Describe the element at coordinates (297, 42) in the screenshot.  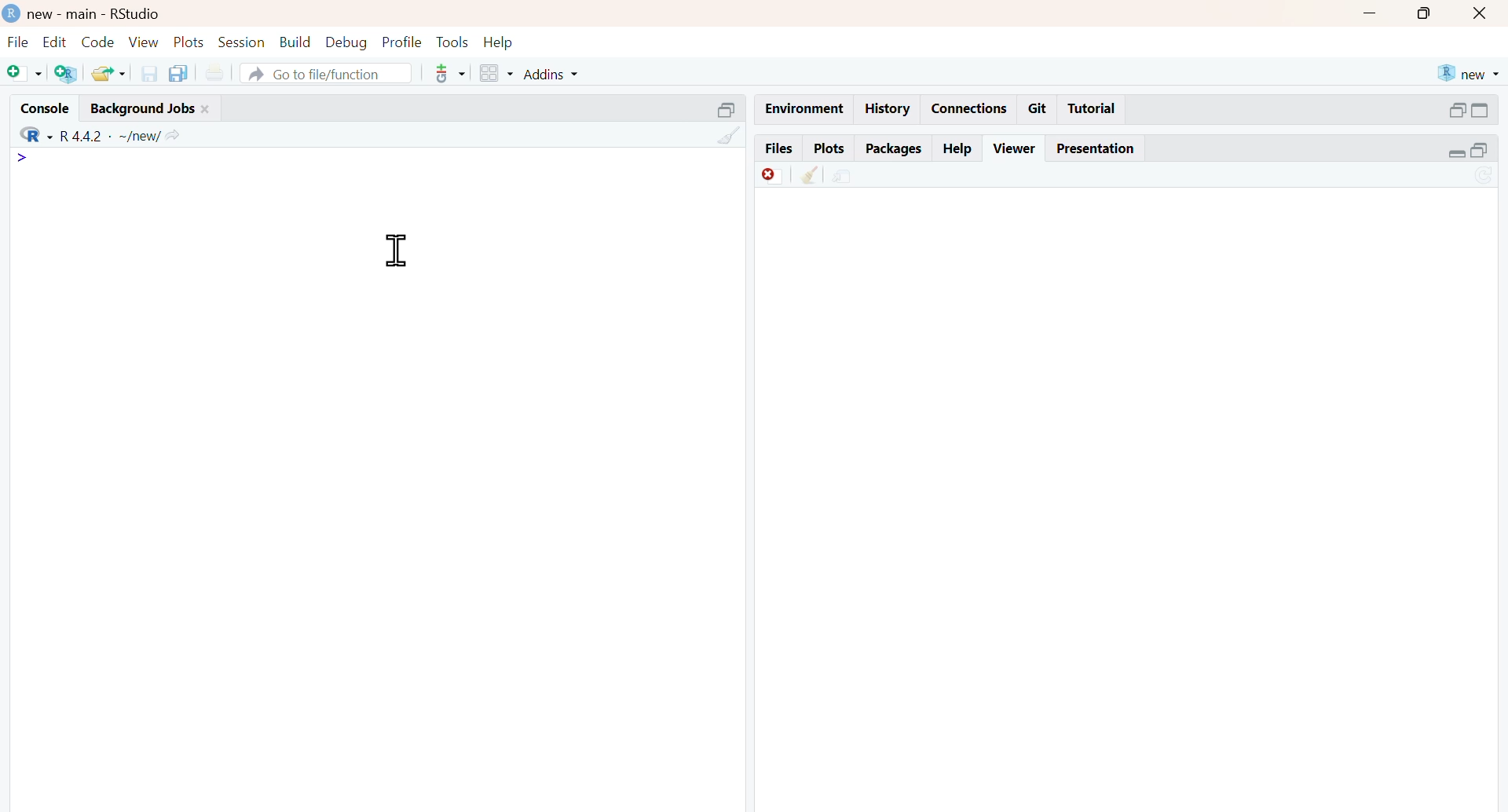
I see `build` at that location.